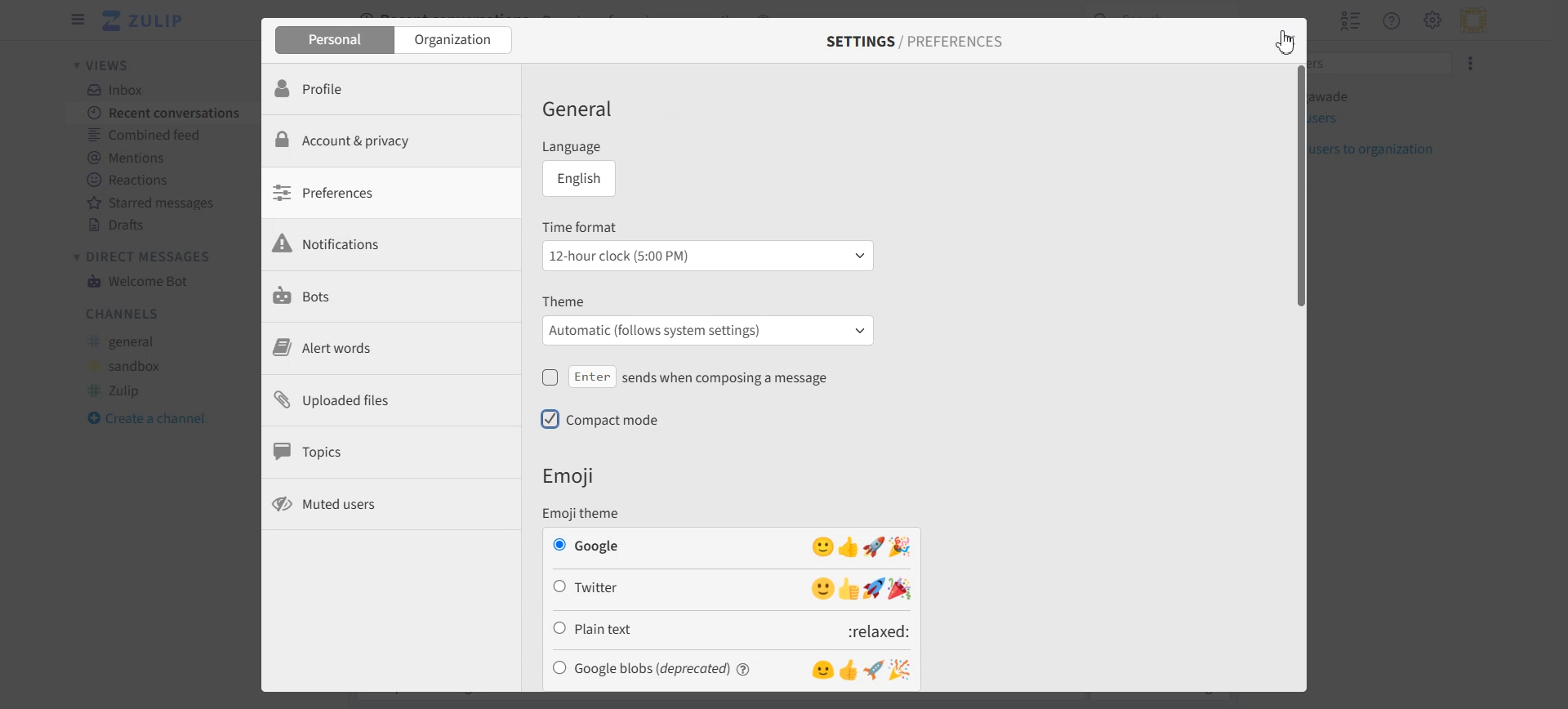 The image size is (1568, 709). What do you see at coordinates (732, 588) in the screenshot?
I see `Twitter` at bounding box center [732, 588].